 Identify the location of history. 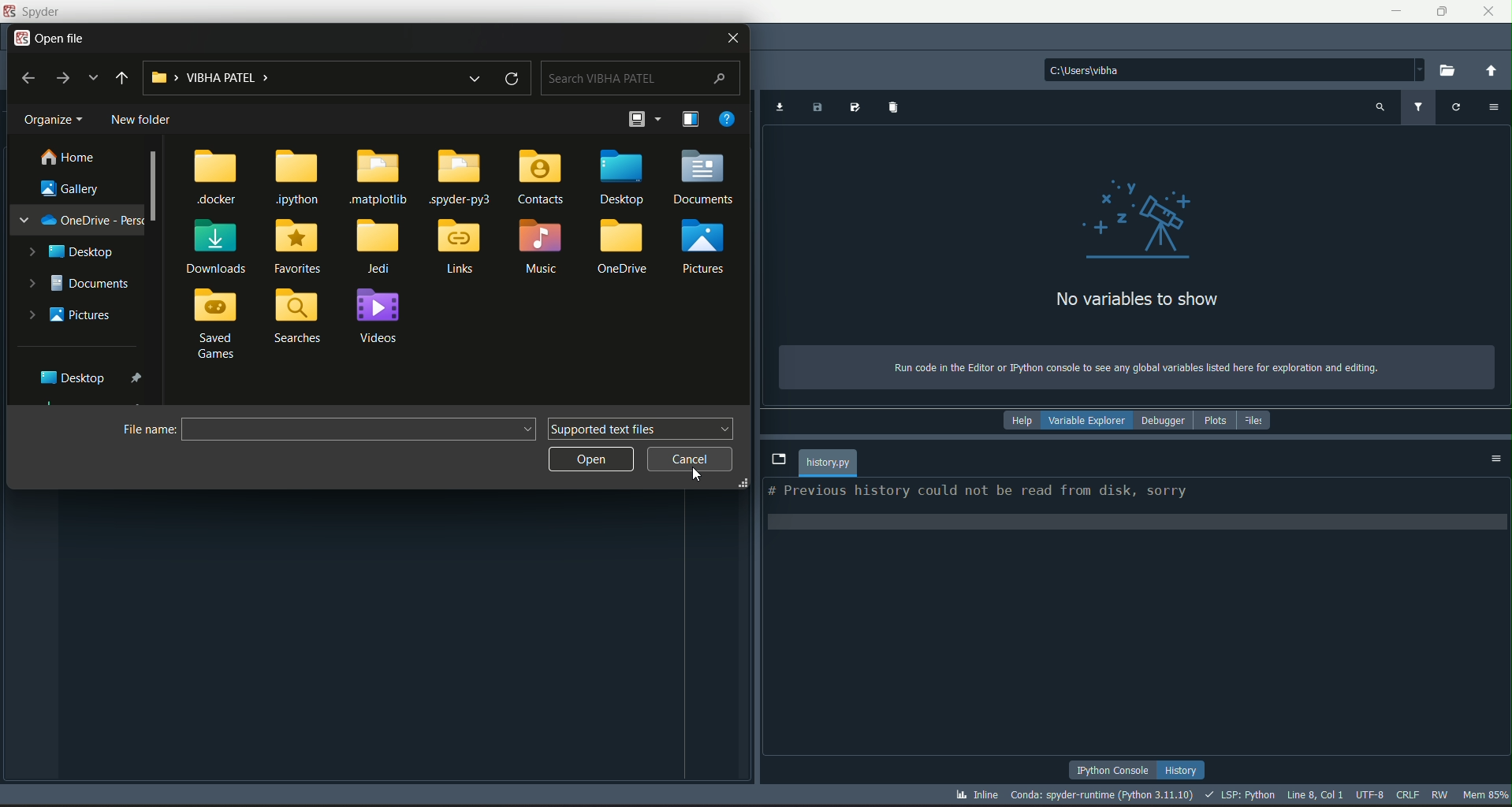
(1183, 768).